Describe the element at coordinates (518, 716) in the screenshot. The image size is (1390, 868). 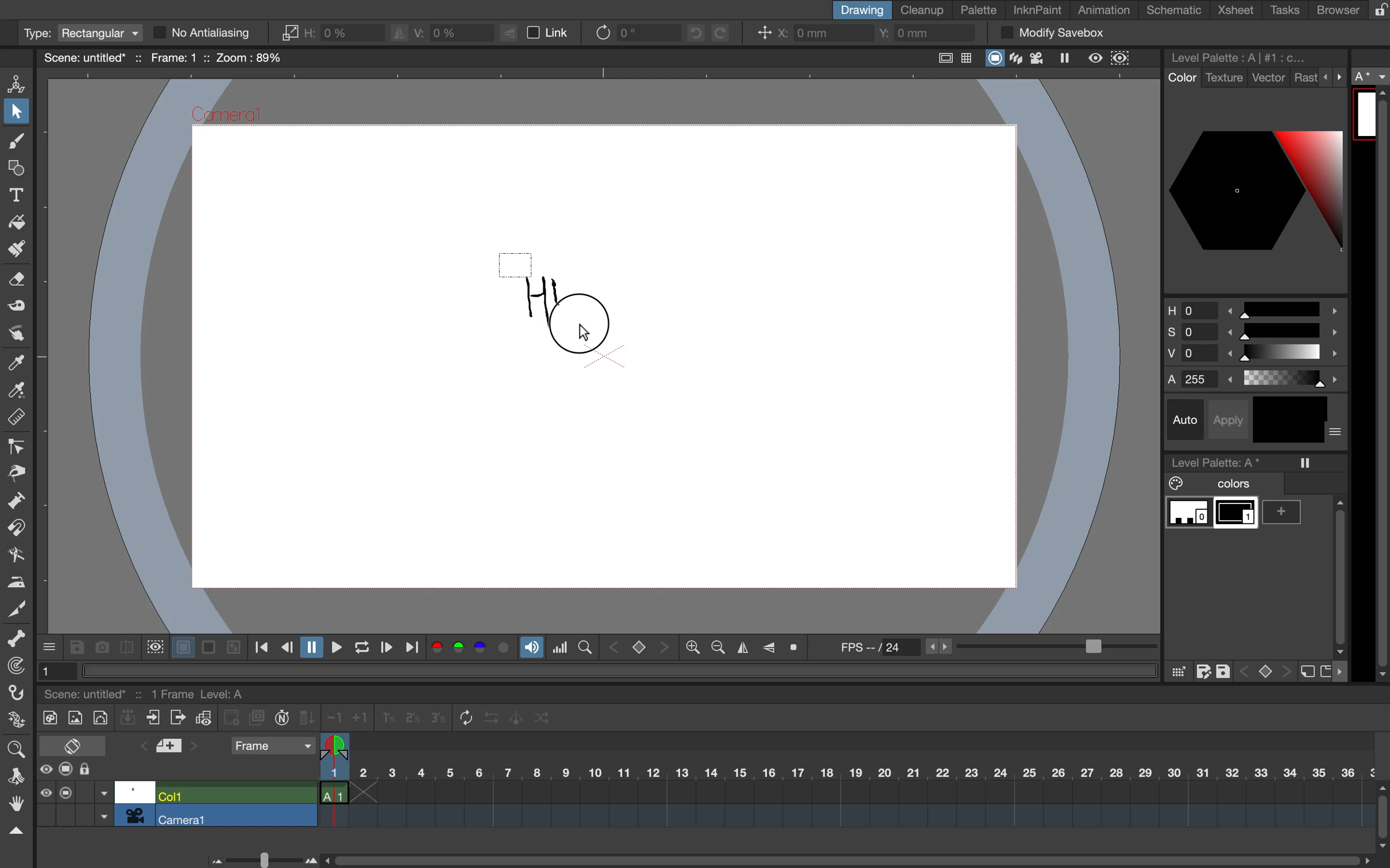
I see `swing` at that location.